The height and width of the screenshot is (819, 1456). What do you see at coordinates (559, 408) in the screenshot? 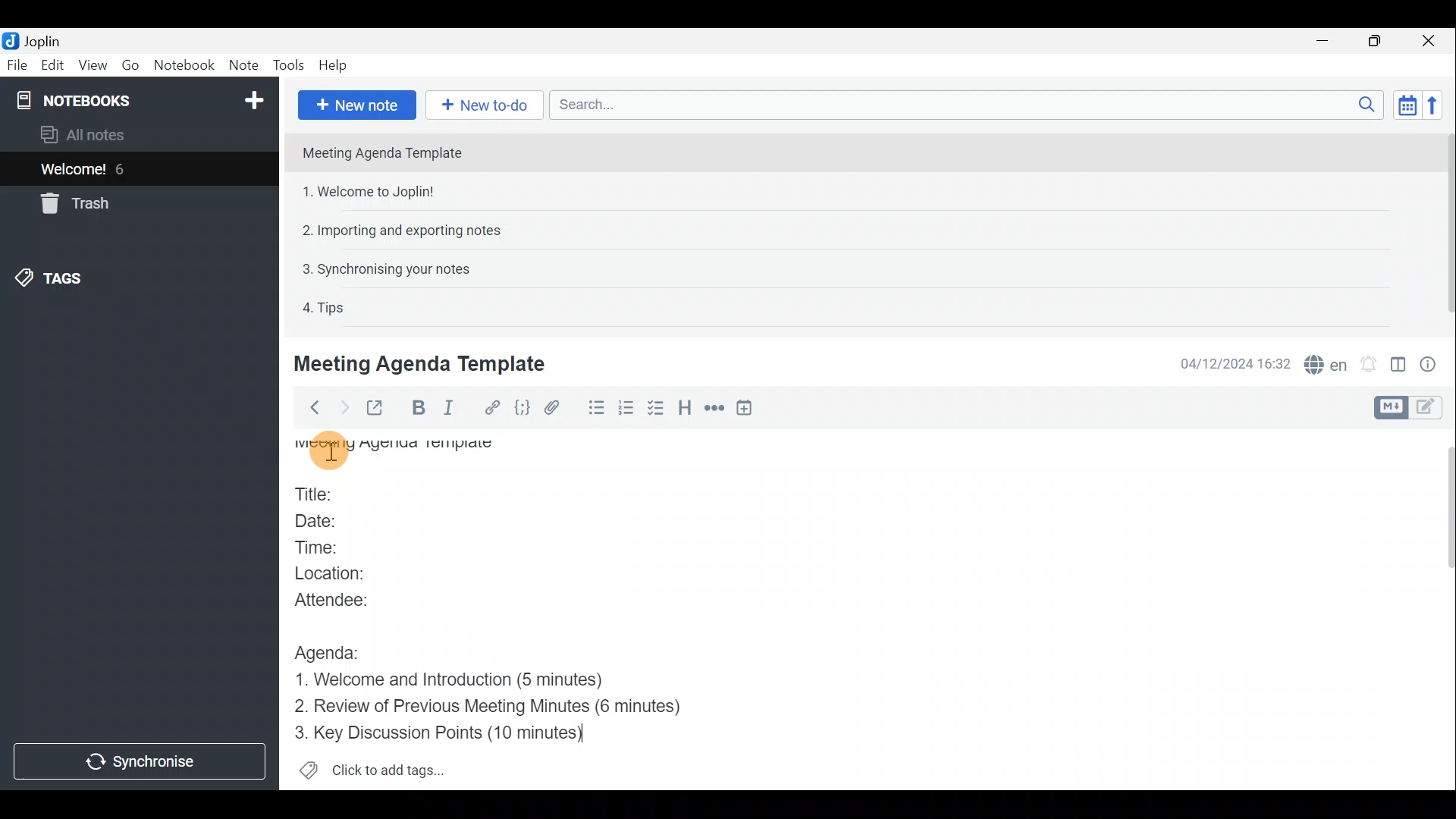
I see `Attach file` at bounding box center [559, 408].